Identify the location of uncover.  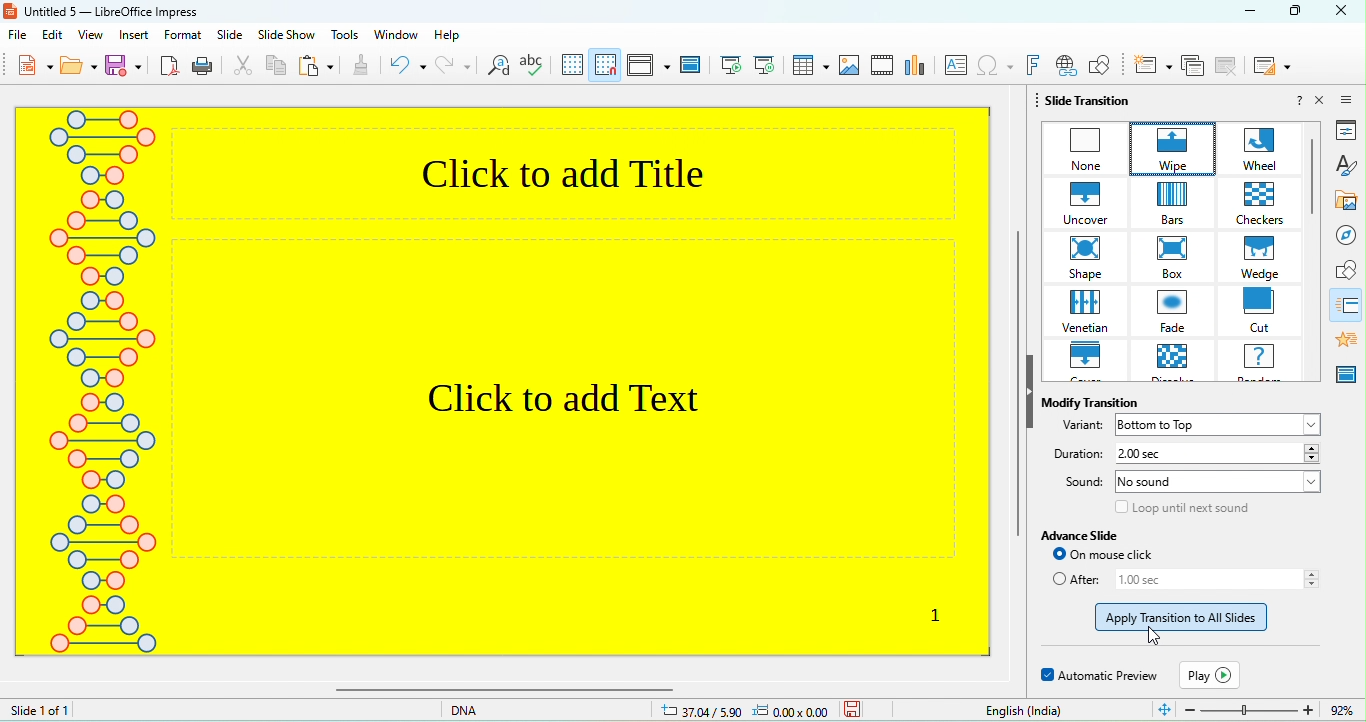
(1083, 201).